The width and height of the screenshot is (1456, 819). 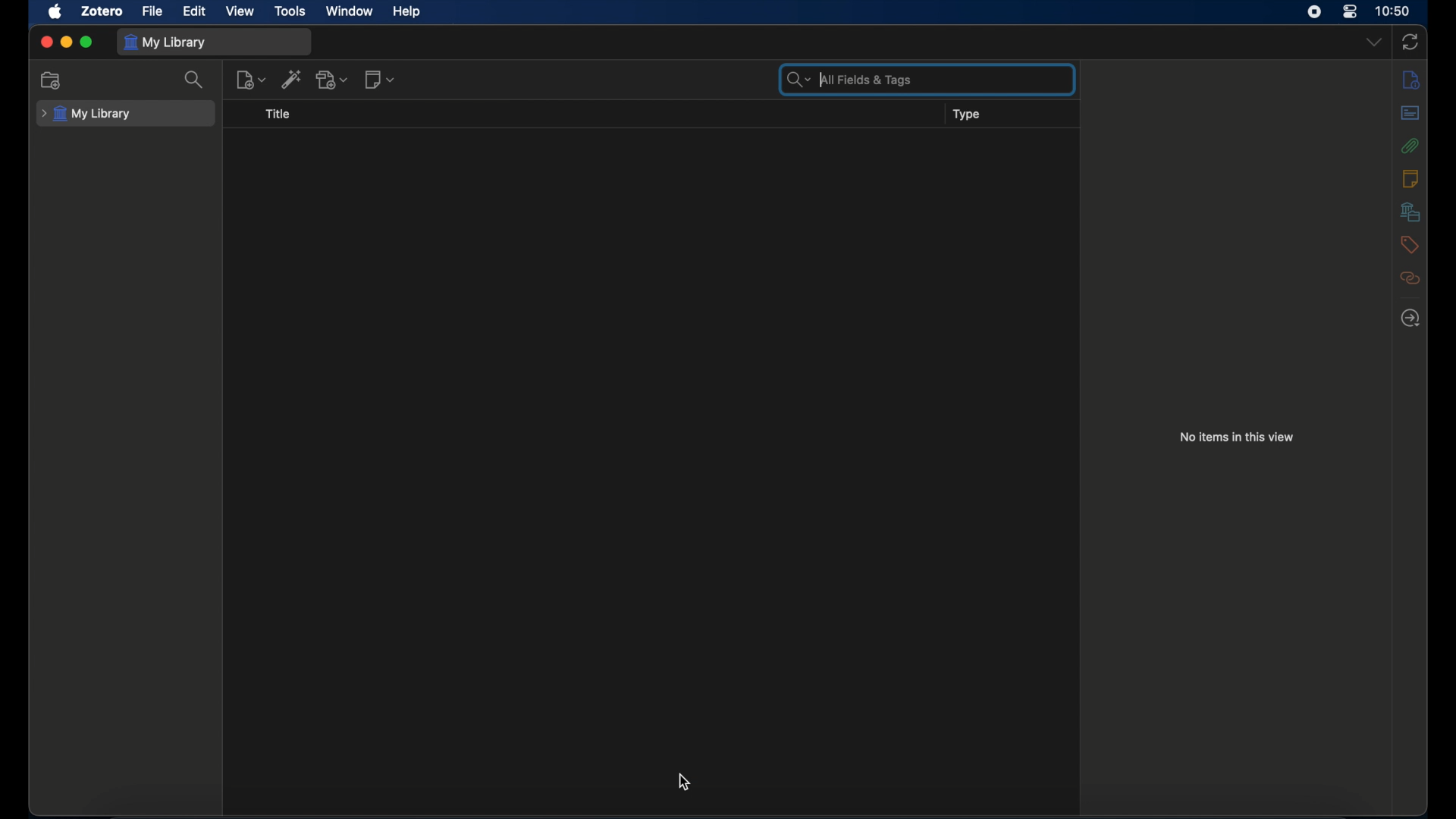 I want to click on apple, so click(x=55, y=11).